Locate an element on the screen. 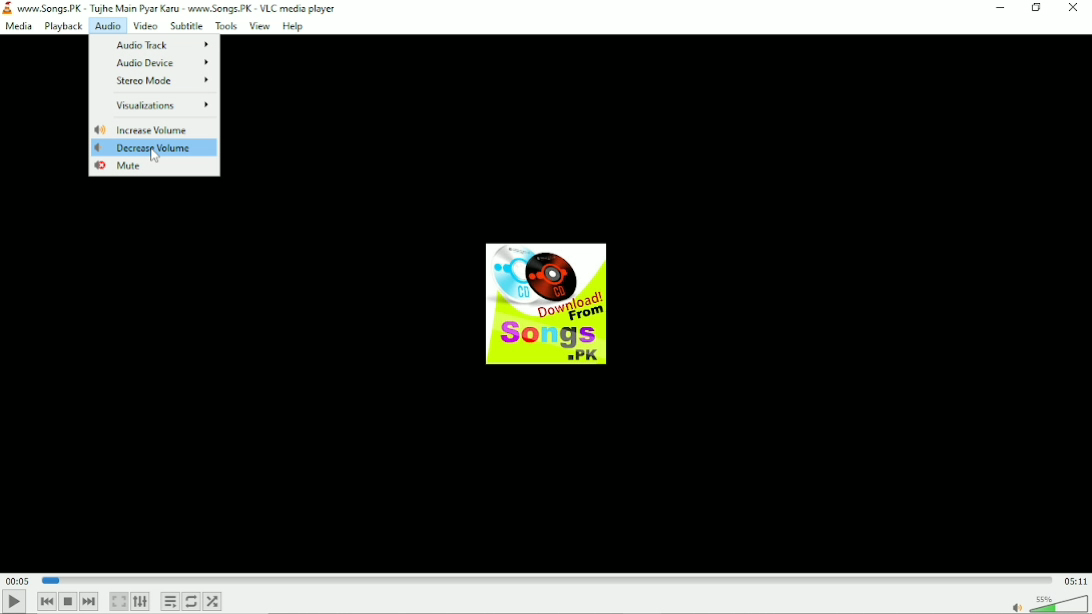 The image size is (1092, 614). Audio track image is located at coordinates (543, 304).